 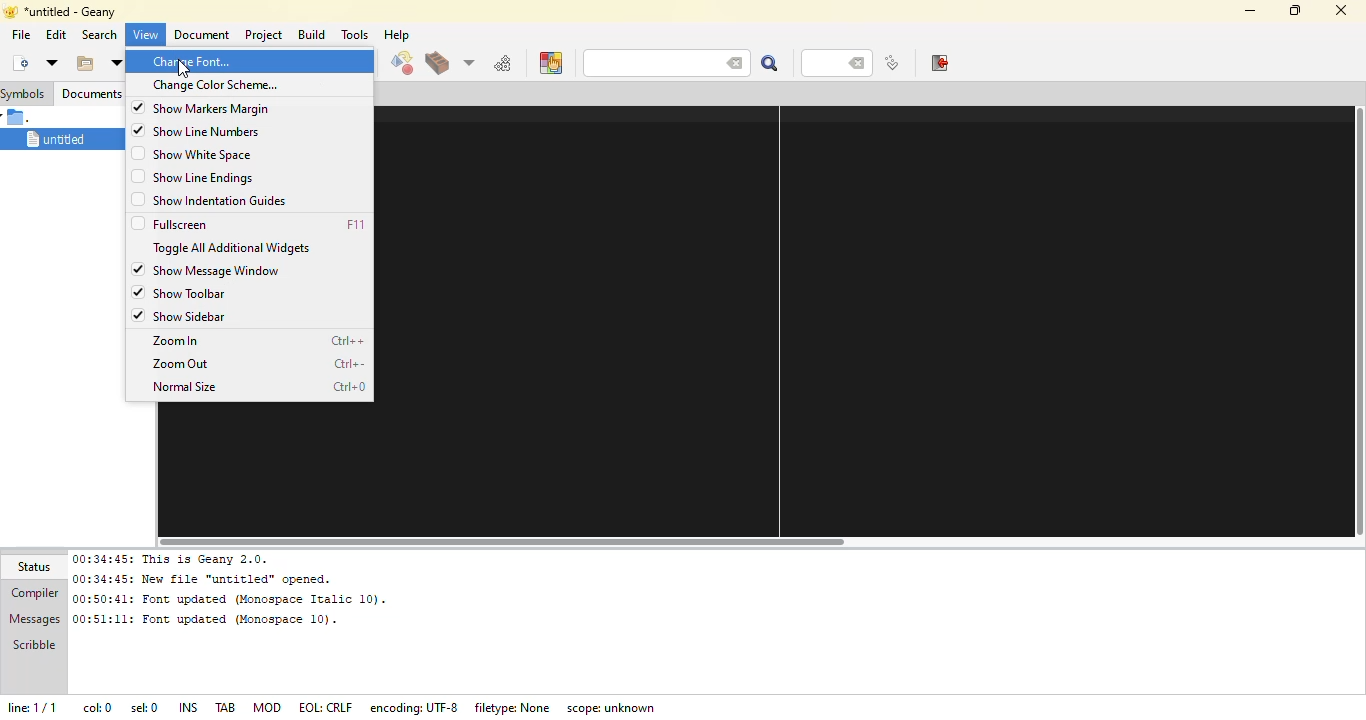 What do you see at coordinates (1357, 324) in the screenshot?
I see `vertical slide bar` at bounding box center [1357, 324].